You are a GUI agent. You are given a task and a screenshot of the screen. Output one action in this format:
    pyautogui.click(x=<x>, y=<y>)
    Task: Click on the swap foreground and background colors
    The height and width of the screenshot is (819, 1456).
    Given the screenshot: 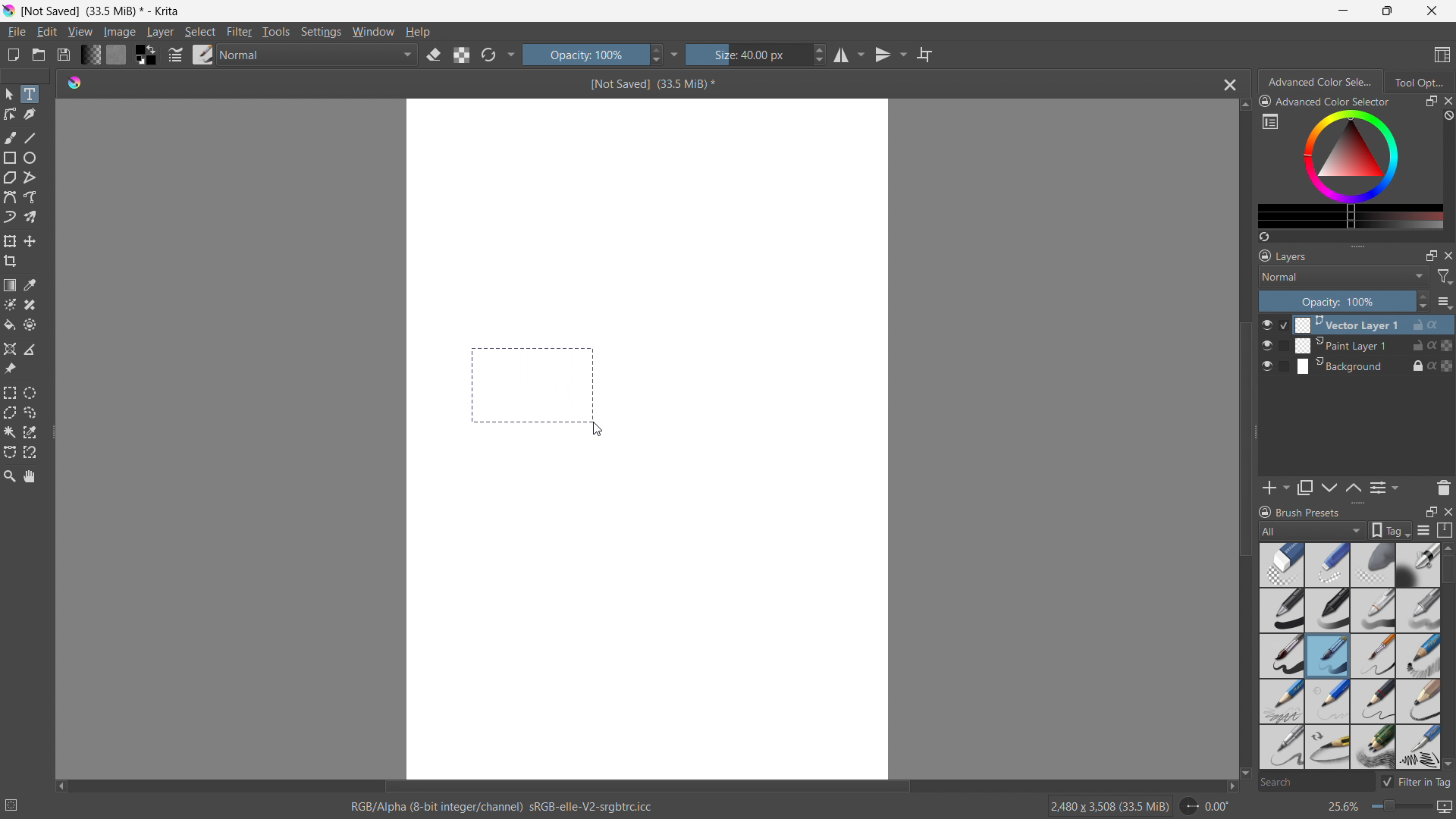 What is the action you would take?
    pyautogui.click(x=146, y=55)
    